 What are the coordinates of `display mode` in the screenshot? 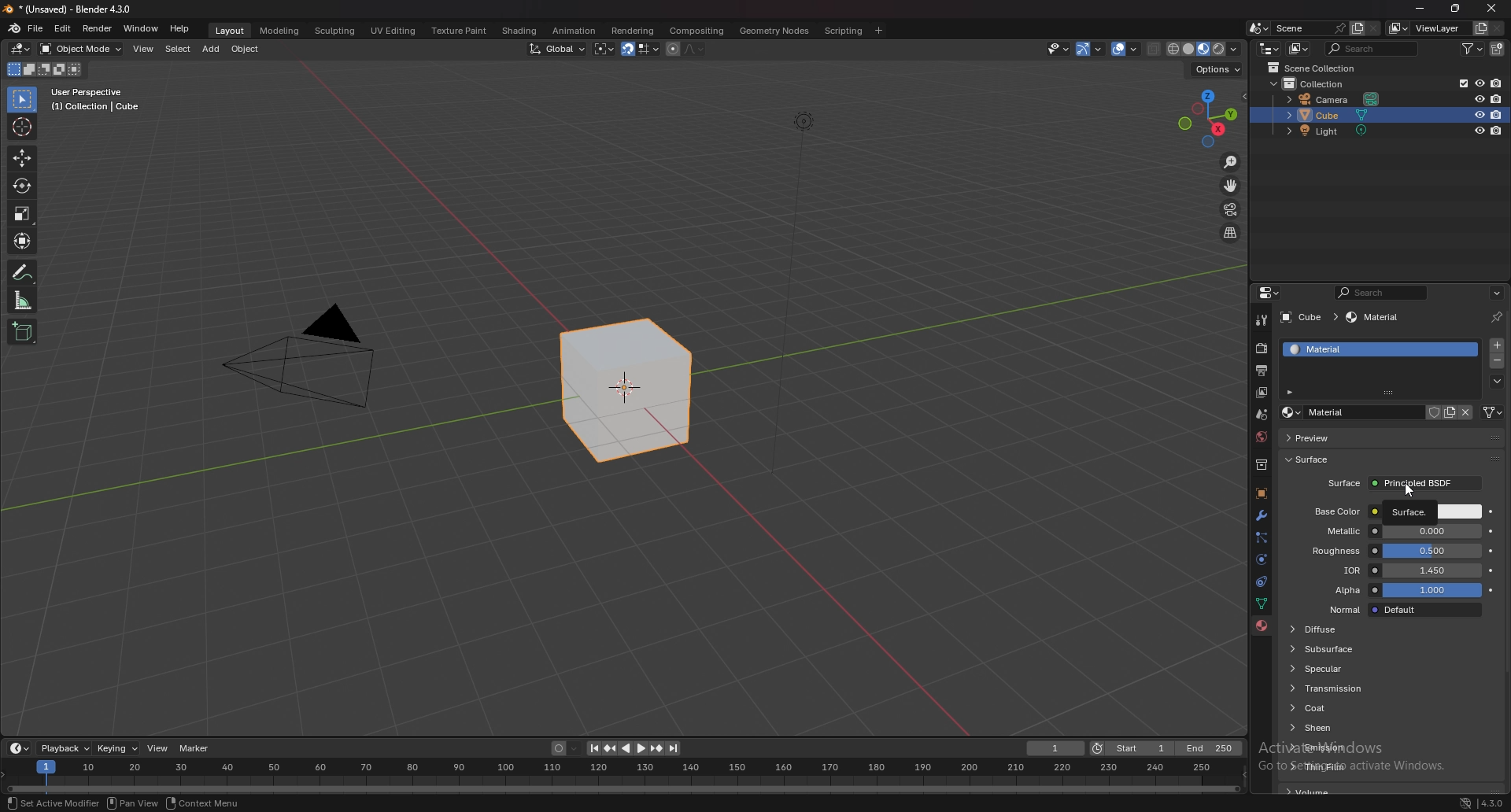 It's located at (1300, 49).